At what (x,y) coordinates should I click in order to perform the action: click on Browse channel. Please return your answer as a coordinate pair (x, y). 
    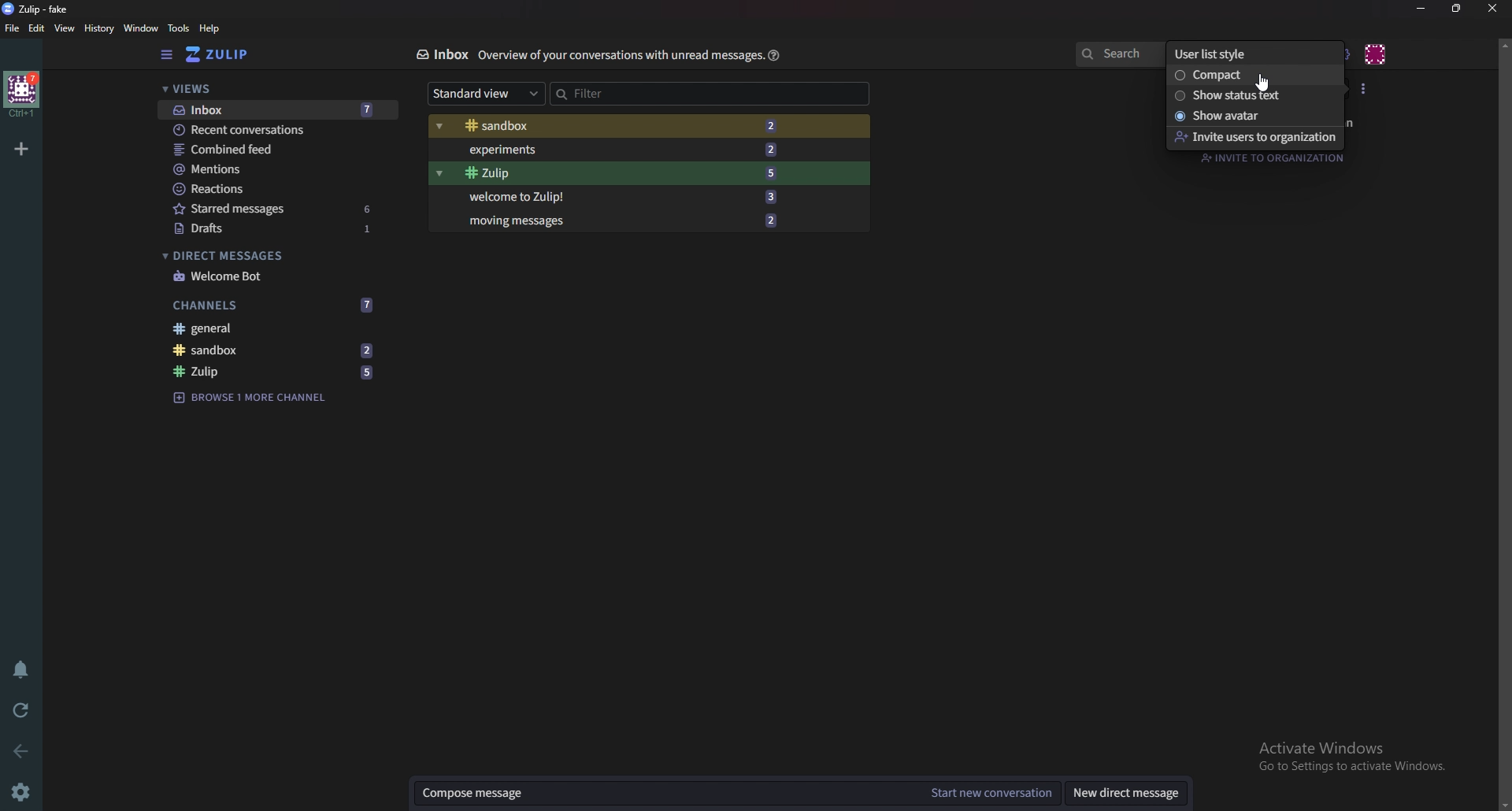
    Looking at the image, I should click on (259, 398).